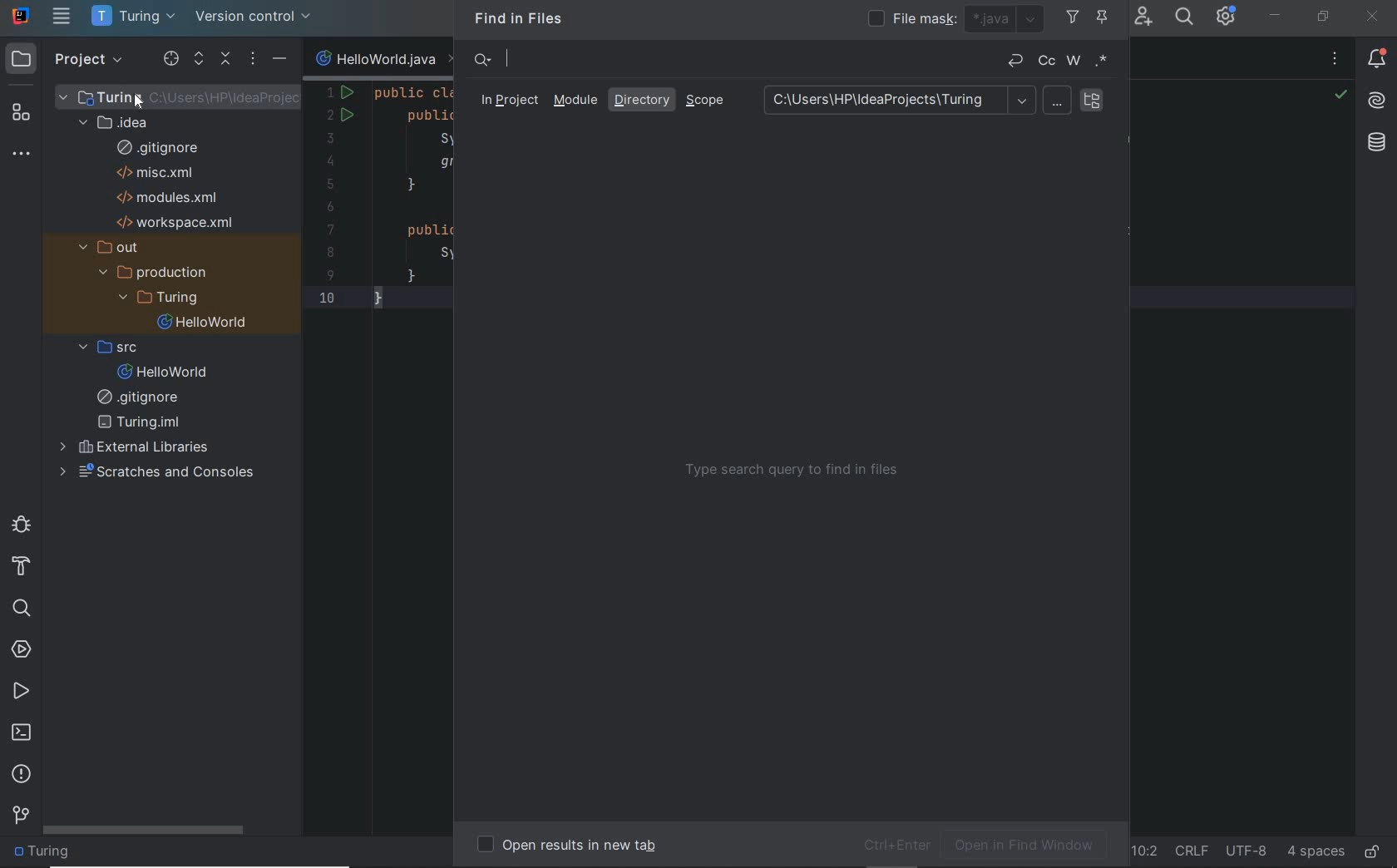  I want to click on version control, so click(19, 816).